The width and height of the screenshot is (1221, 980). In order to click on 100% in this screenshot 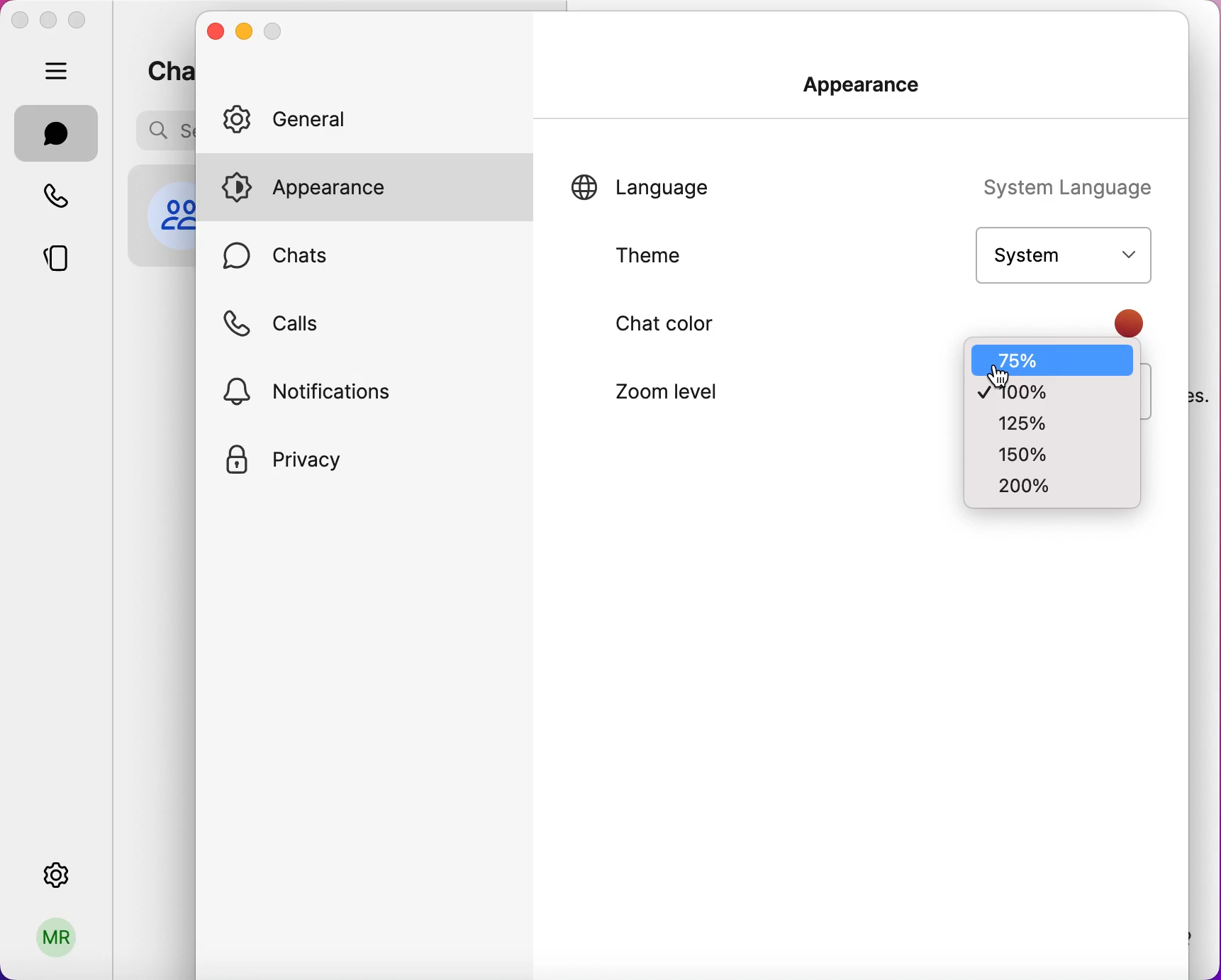, I will do `click(1059, 393)`.